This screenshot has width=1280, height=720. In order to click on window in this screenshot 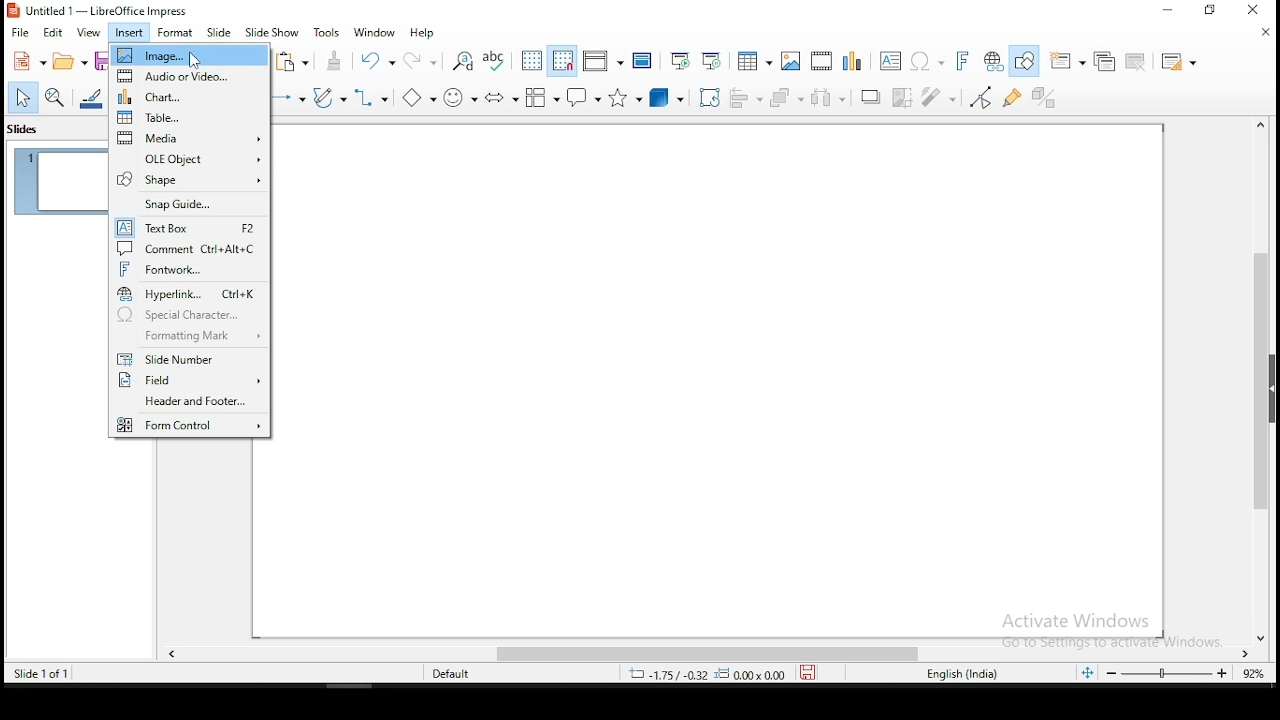, I will do `click(375, 32)`.